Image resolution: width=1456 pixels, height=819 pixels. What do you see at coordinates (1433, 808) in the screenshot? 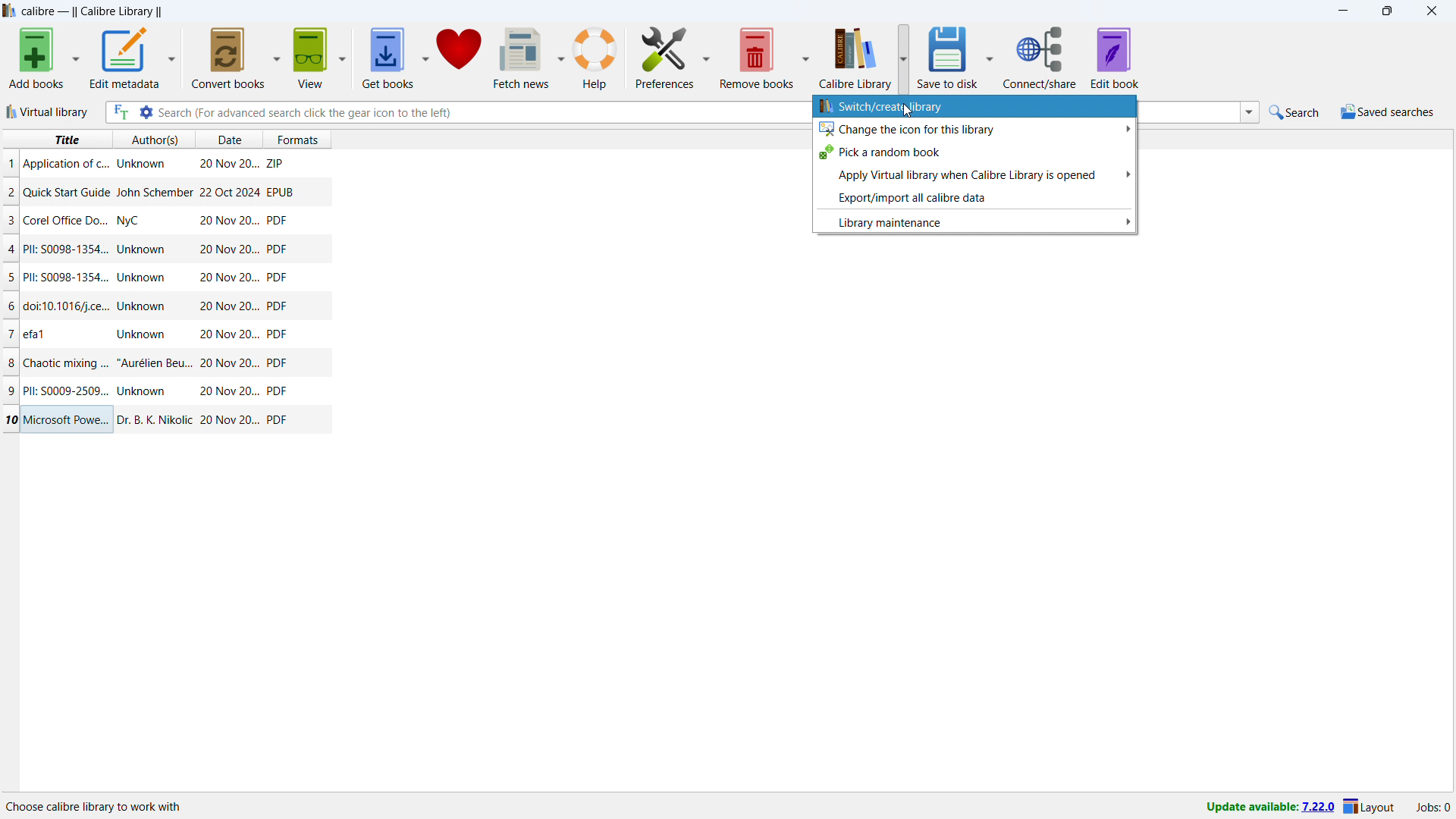
I see `active jobs` at bounding box center [1433, 808].